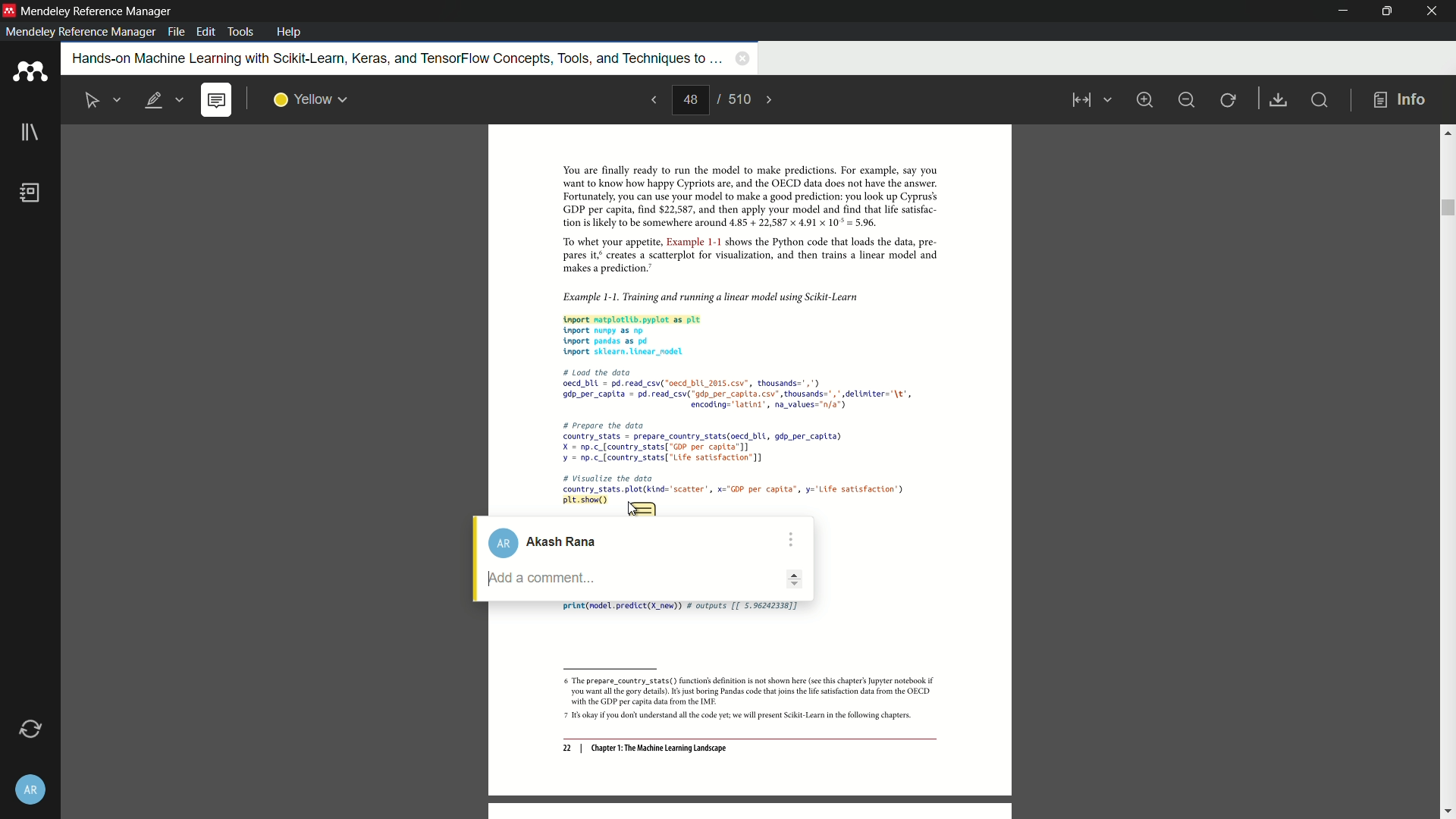 The image size is (1456, 819). Describe the element at coordinates (642, 579) in the screenshot. I see `cursor for writing` at that location.